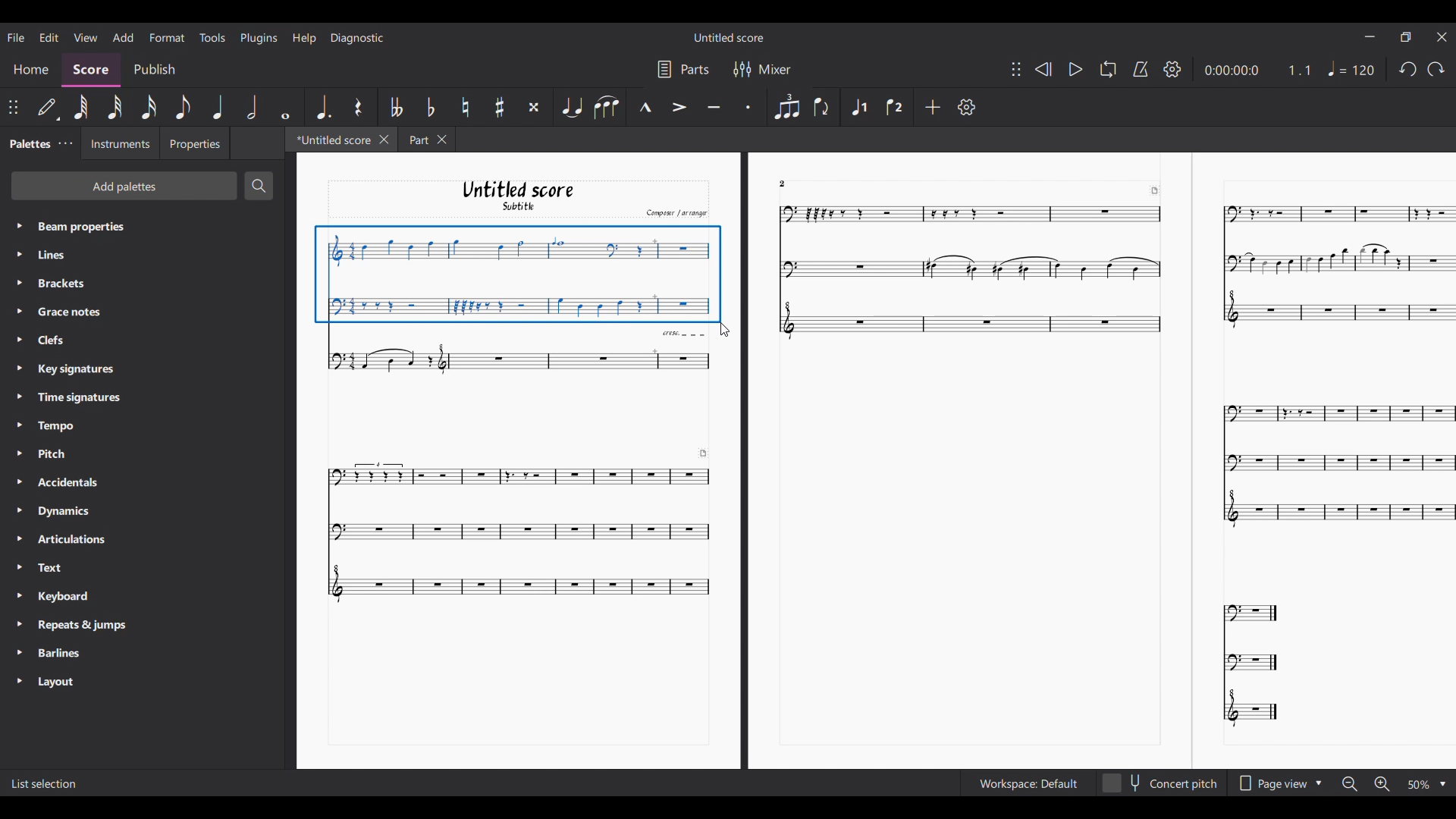 The width and height of the screenshot is (1456, 819). What do you see at coordinates (1015, 68) in the screenshot?
I see `Change position` at bounding box center [1015, 68].